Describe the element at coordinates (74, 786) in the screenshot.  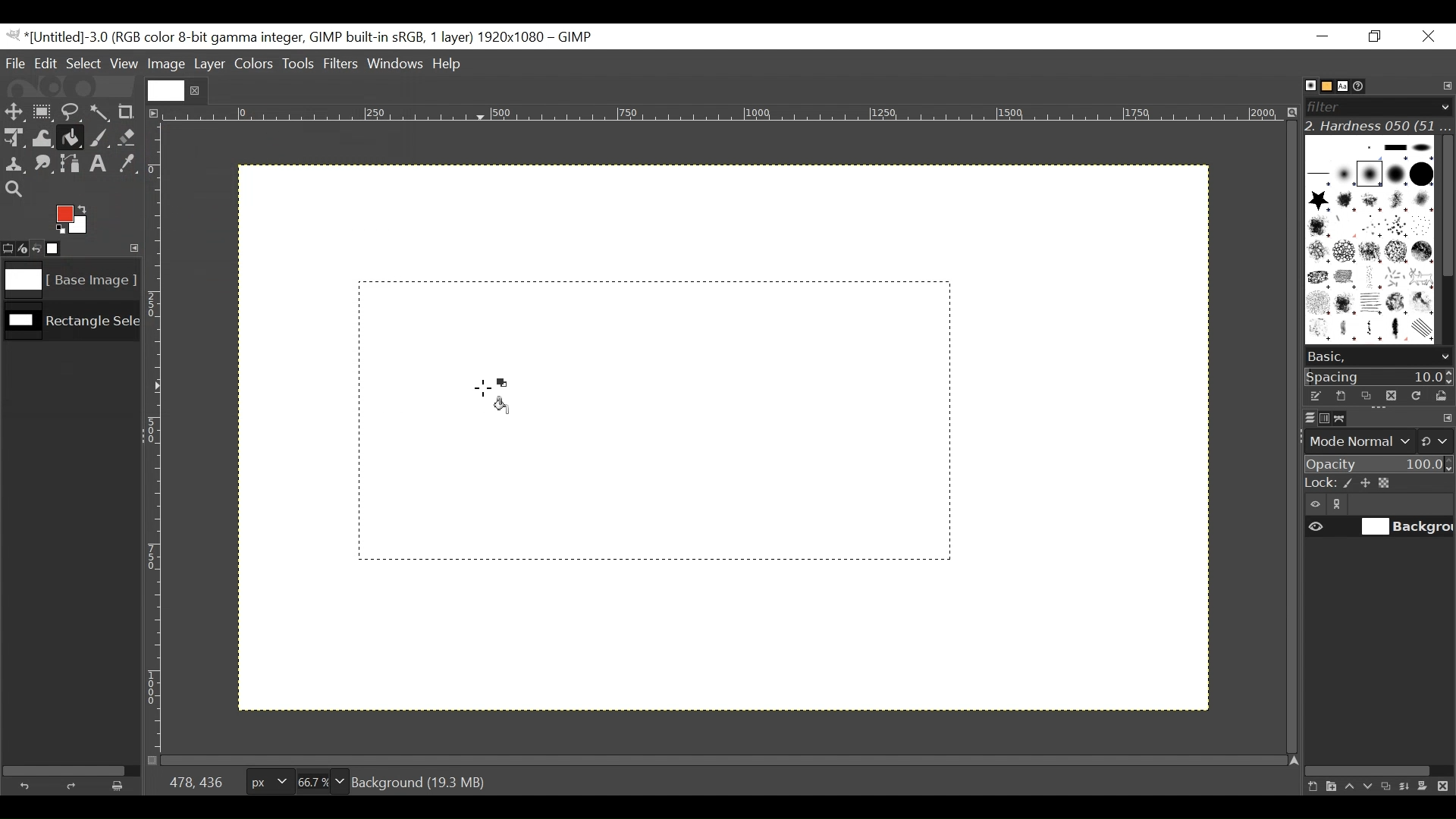
I see `Redo` at that location.